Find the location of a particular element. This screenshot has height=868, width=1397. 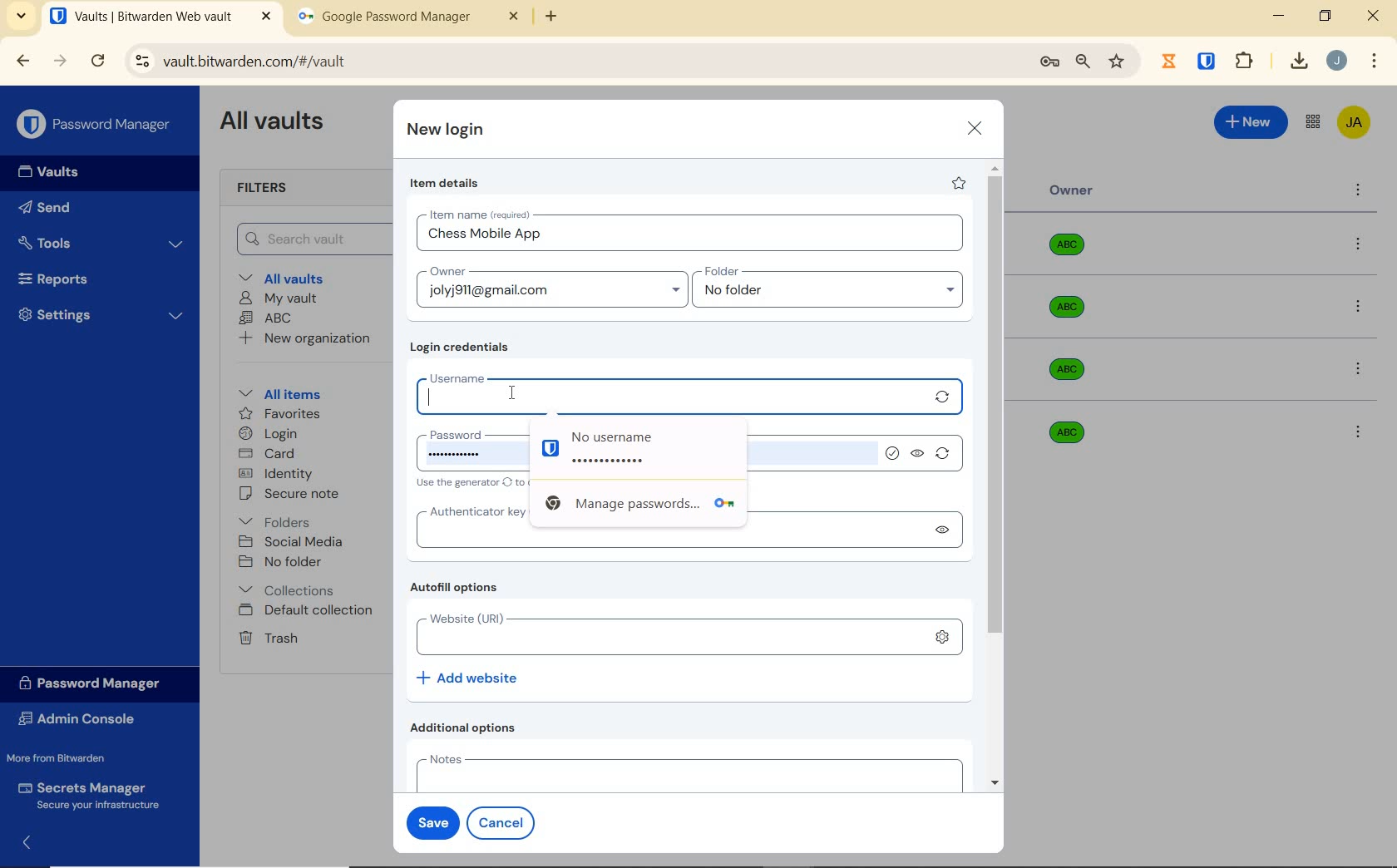

add new tab is located at coordinates (564, 21).